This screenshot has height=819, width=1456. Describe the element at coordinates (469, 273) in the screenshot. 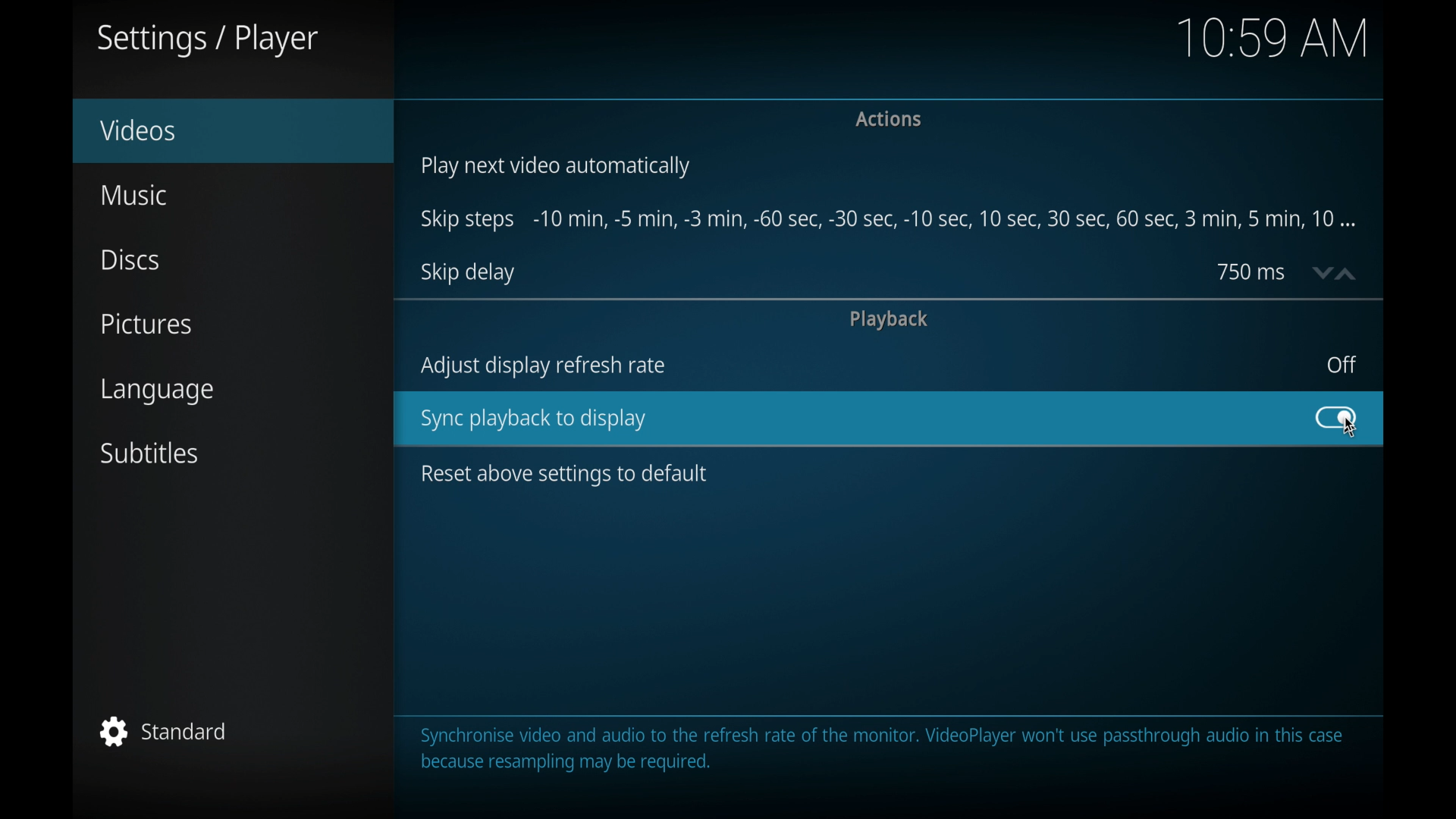

I see `skip delay` at that location.